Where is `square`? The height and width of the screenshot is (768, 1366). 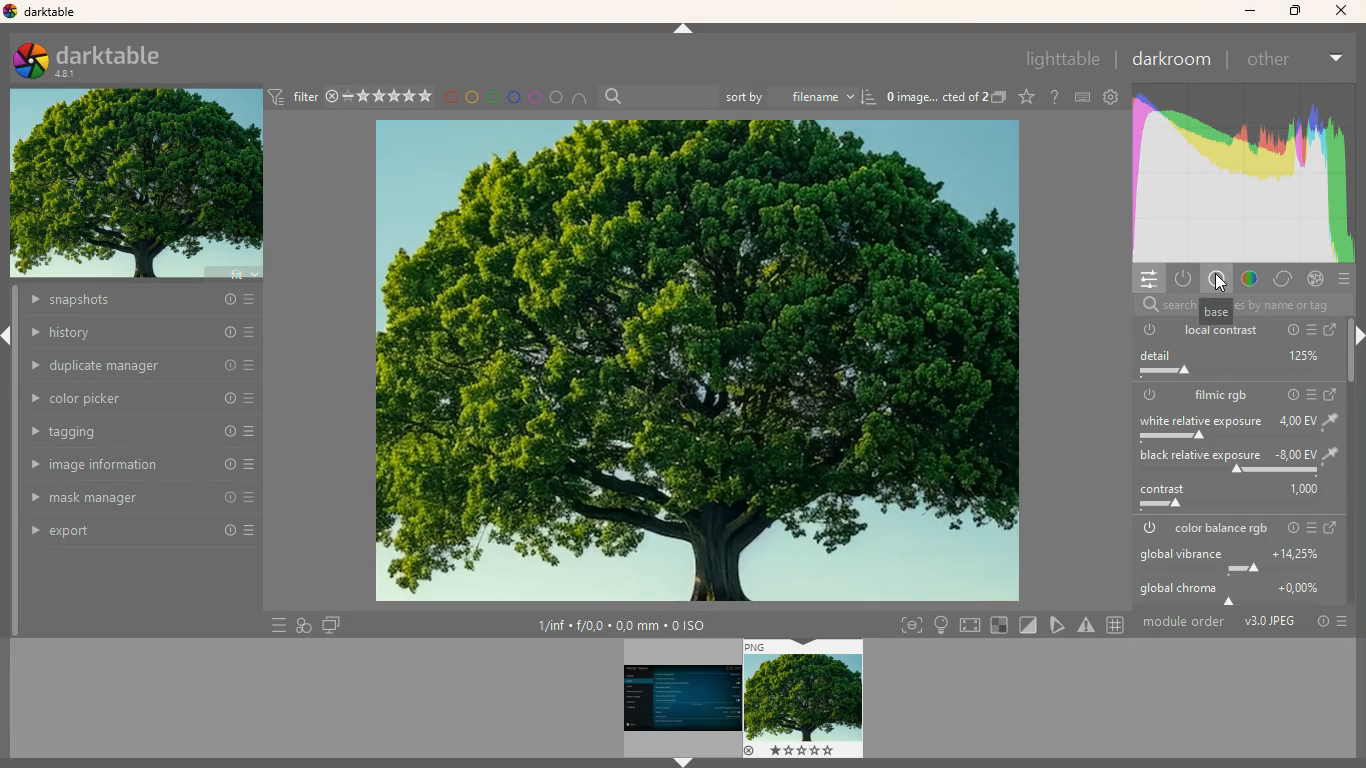 square is located at coordinates (999, 624).